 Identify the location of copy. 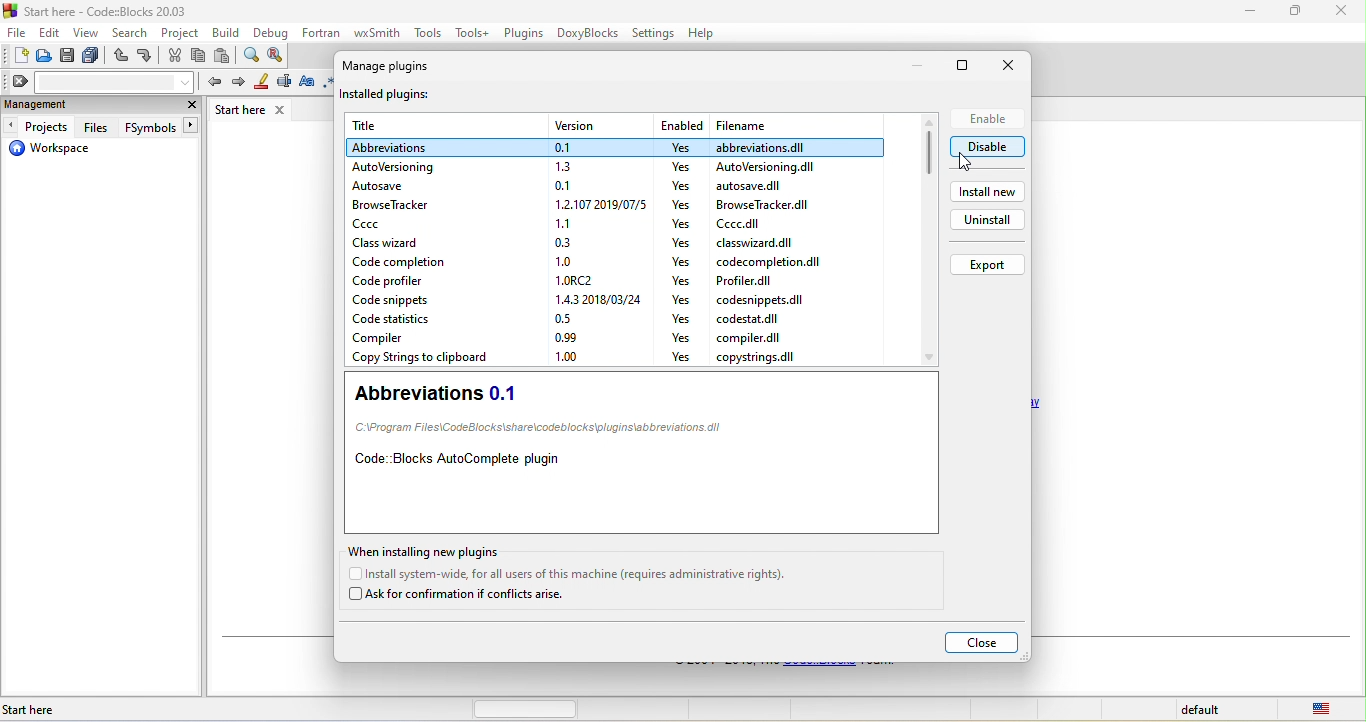
(198, 55).